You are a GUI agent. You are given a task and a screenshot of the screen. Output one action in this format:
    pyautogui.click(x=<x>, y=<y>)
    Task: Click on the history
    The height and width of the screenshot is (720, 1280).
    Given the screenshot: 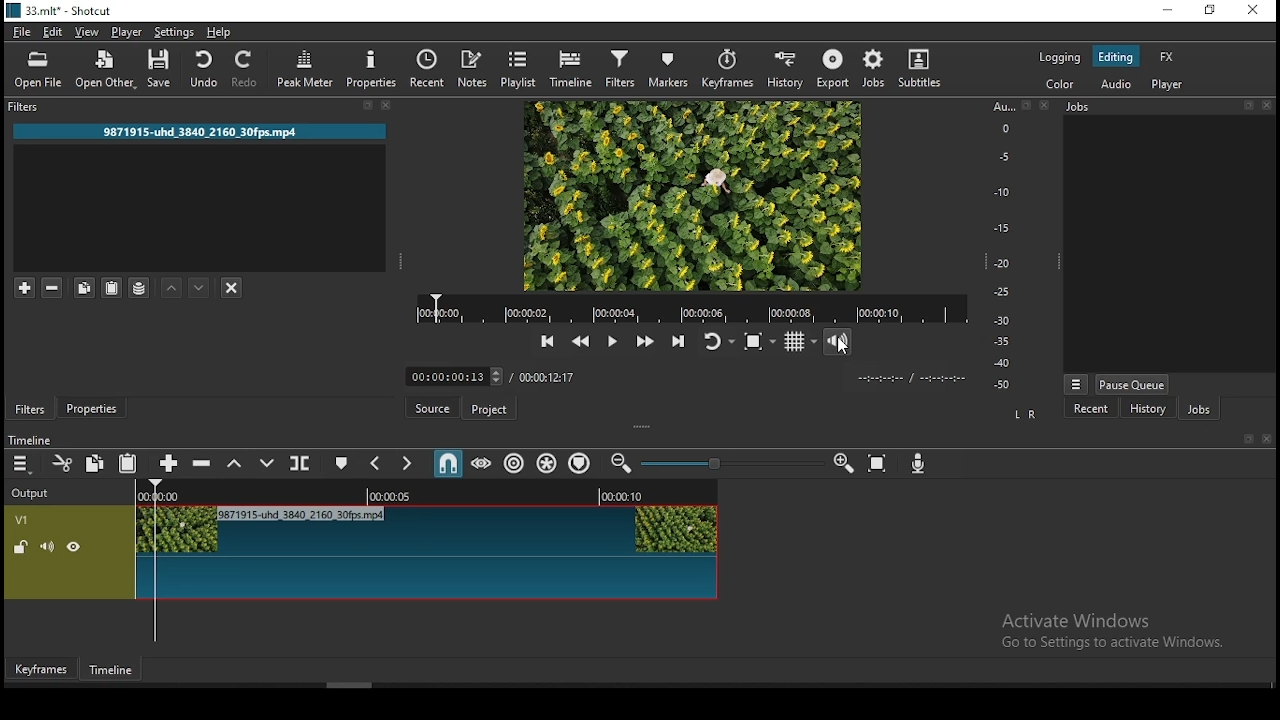 What is the action you would take?
    pyautogui.click(x=1149, y=407)
    